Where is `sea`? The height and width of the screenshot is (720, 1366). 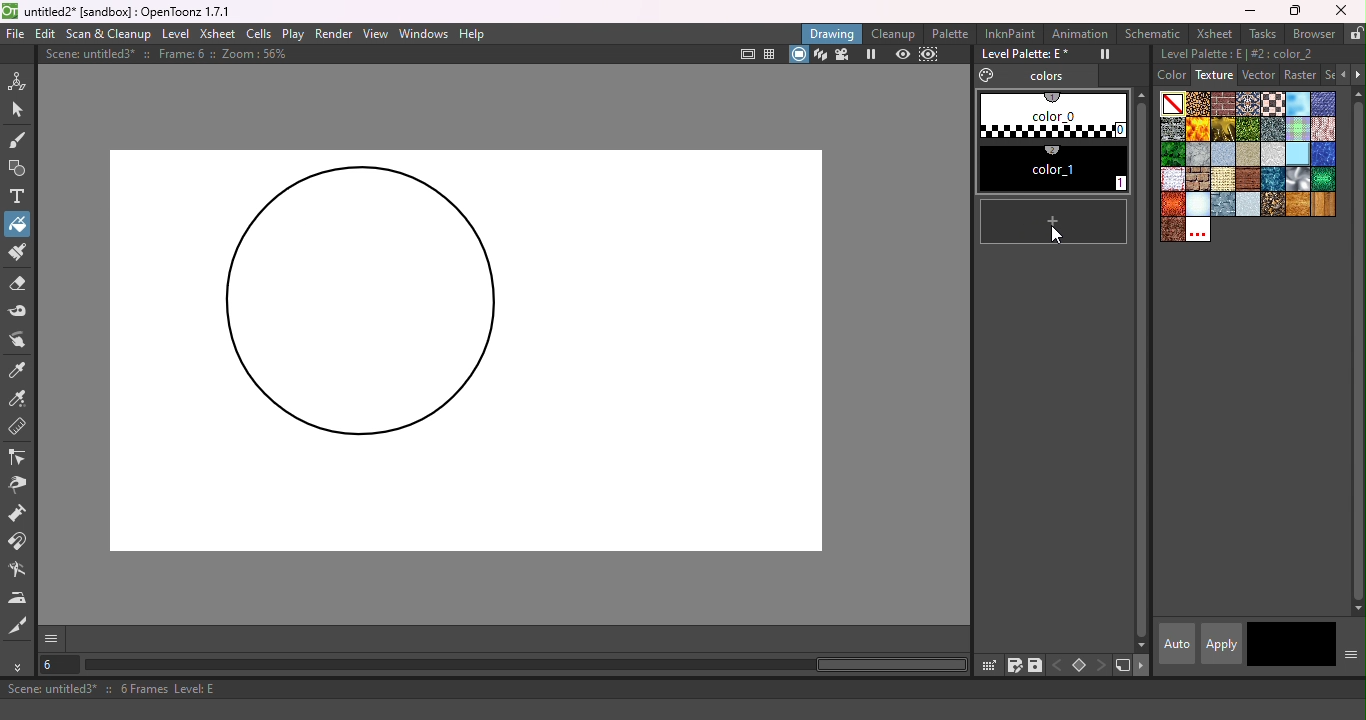
sea is located at coordinates (1273, 179).